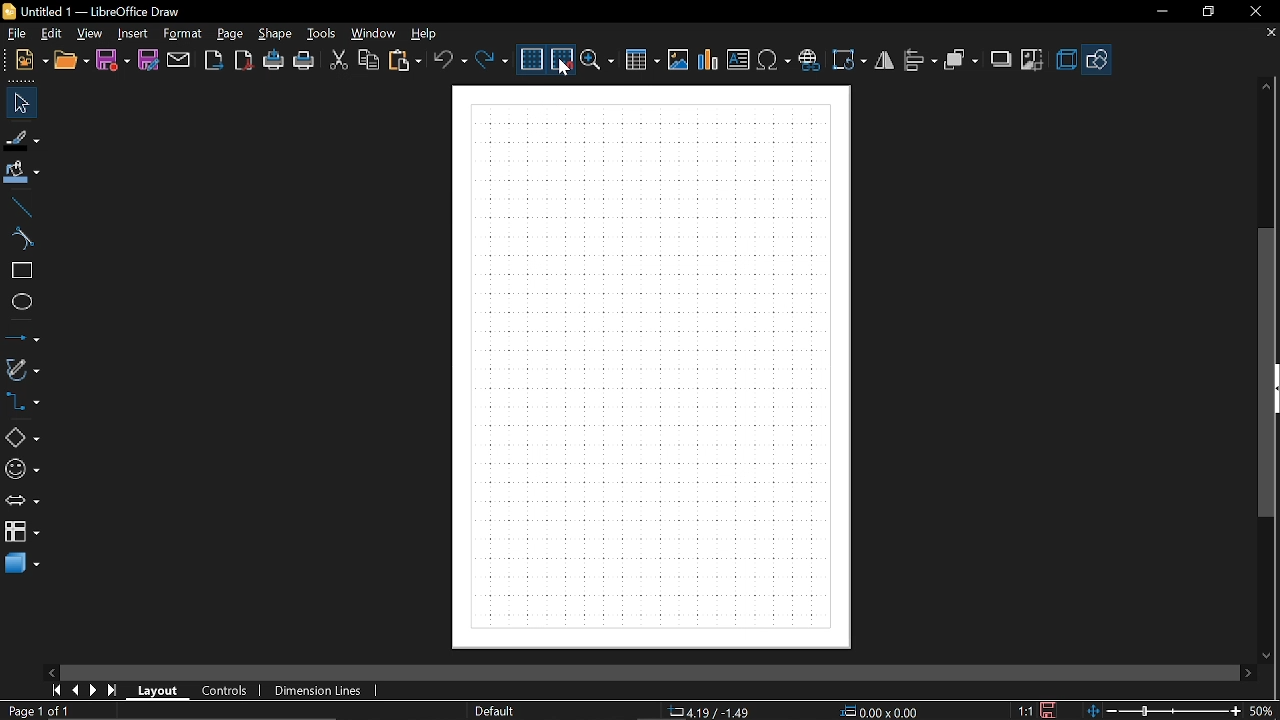  What do you see at coordinates (320, 691) in the screenshot?
I see `dimension lines` at bounding box center [320, 691].